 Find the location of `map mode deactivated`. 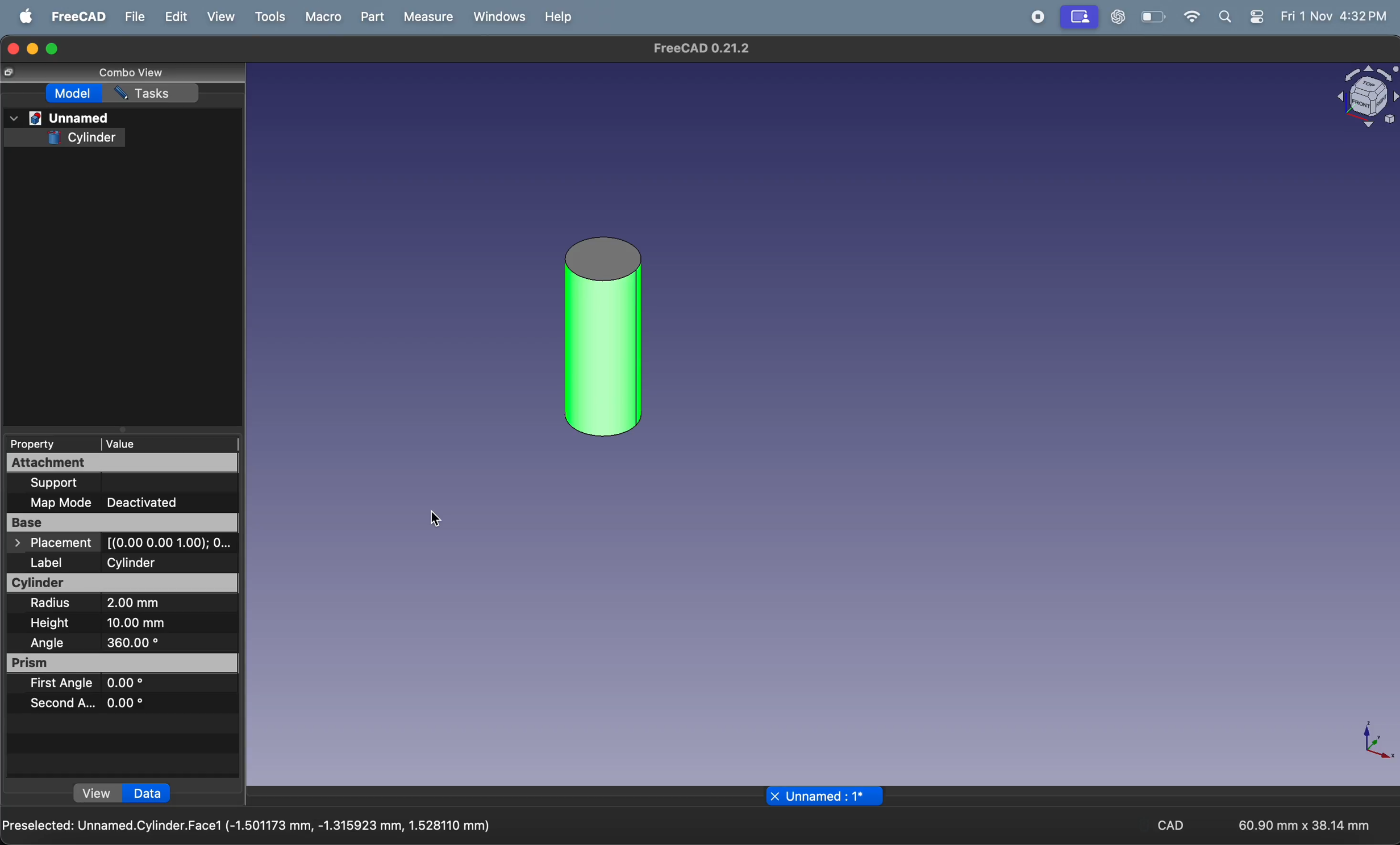

map mode deactivated is located at coordinates (113, 503).